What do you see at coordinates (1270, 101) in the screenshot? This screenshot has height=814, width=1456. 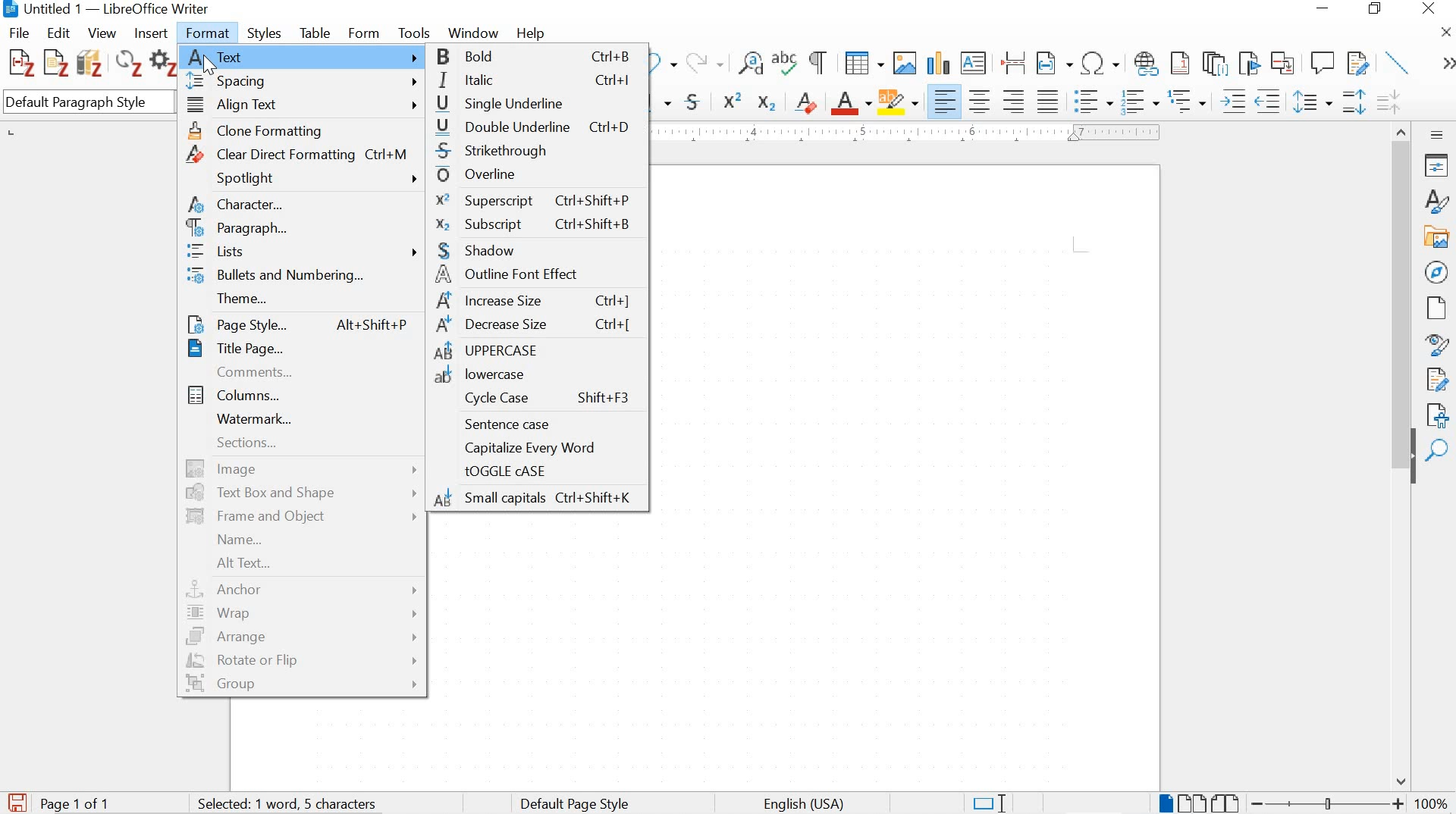 I see `decrease indent` at bounding box center [1270, 101].